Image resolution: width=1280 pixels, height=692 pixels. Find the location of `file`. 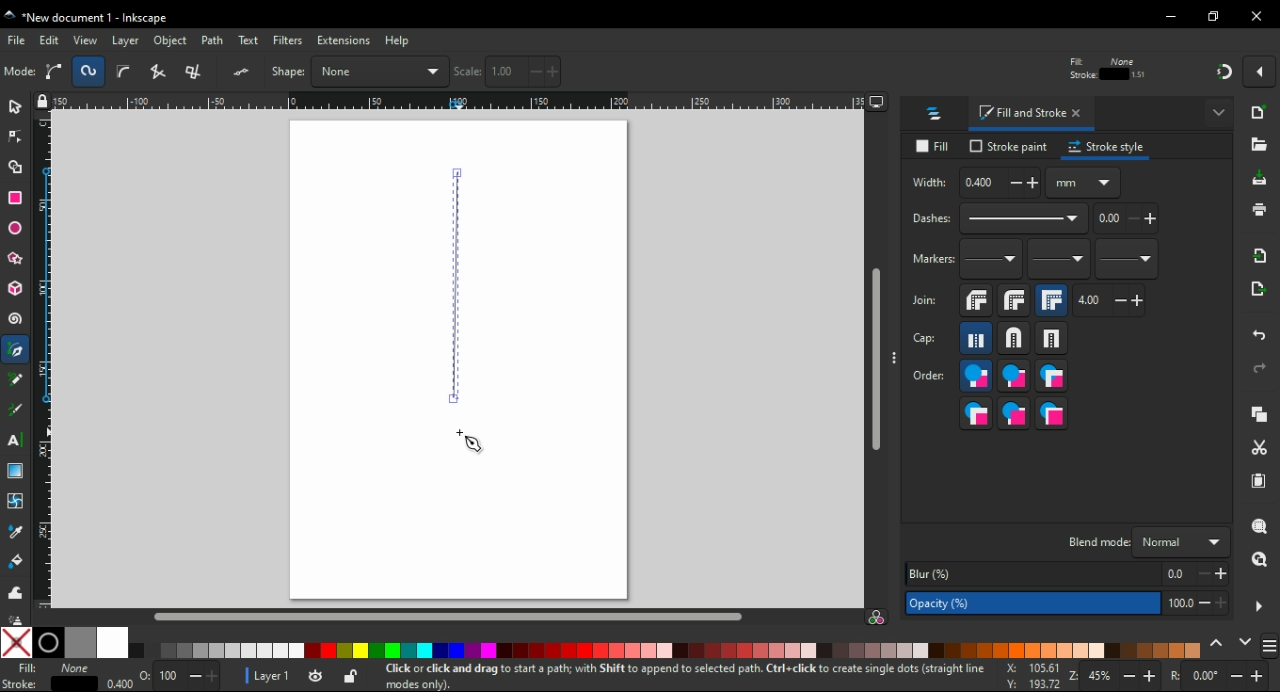

file is located at coordinates (18, 40).